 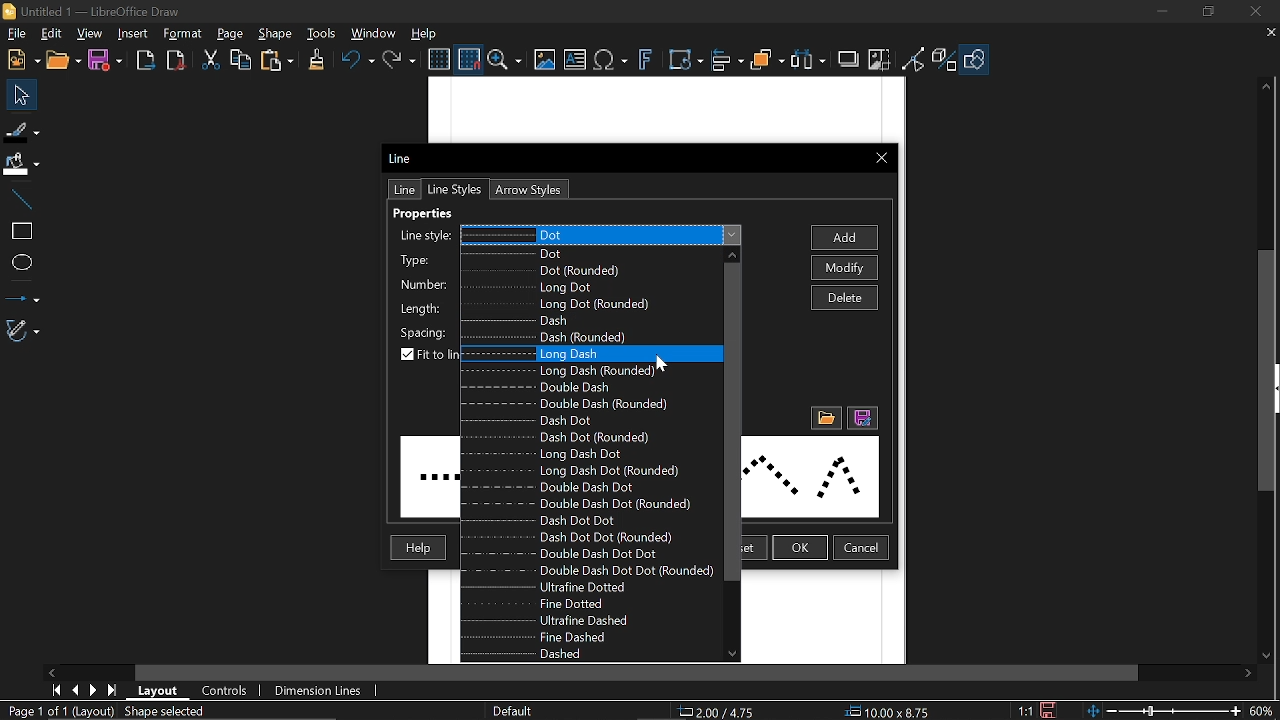 What do you see at coordinates (732, 421) in the screenshot?
I see `Vertical scrollbar` at bounding box center [732, 421].